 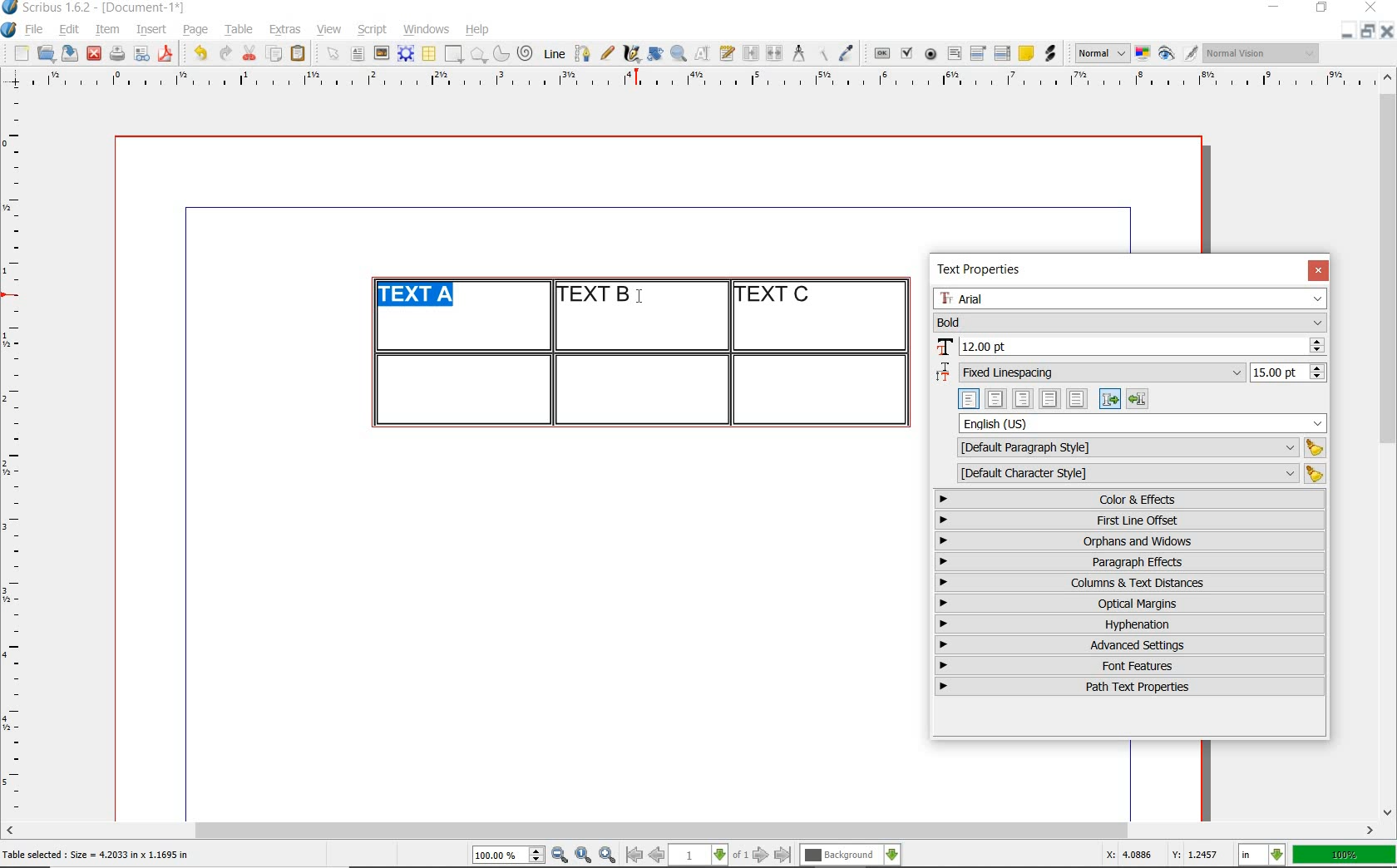 I want to click on new, so click(x=19, y=53).